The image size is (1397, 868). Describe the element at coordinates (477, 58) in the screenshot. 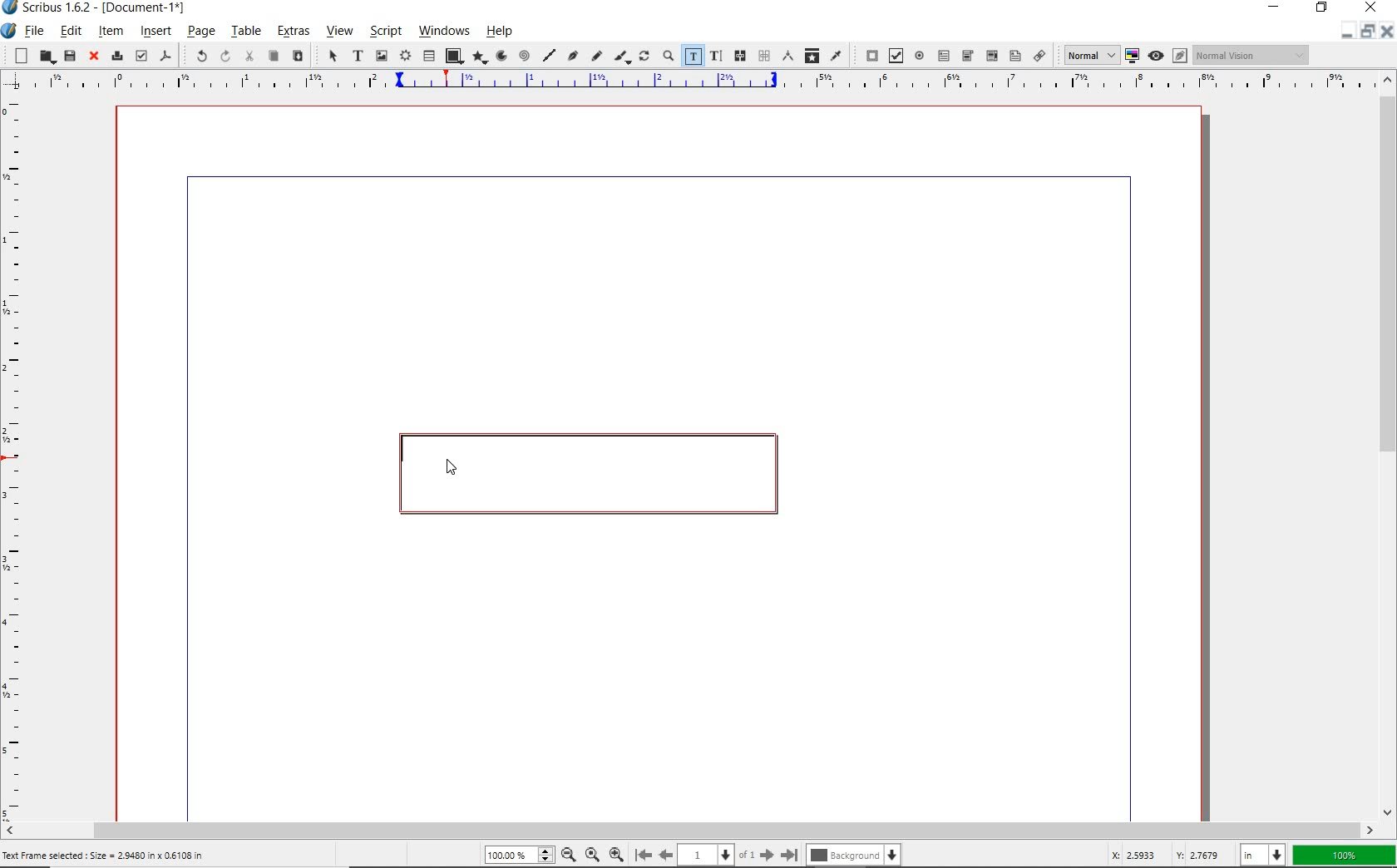

I see `polygon` at that location.